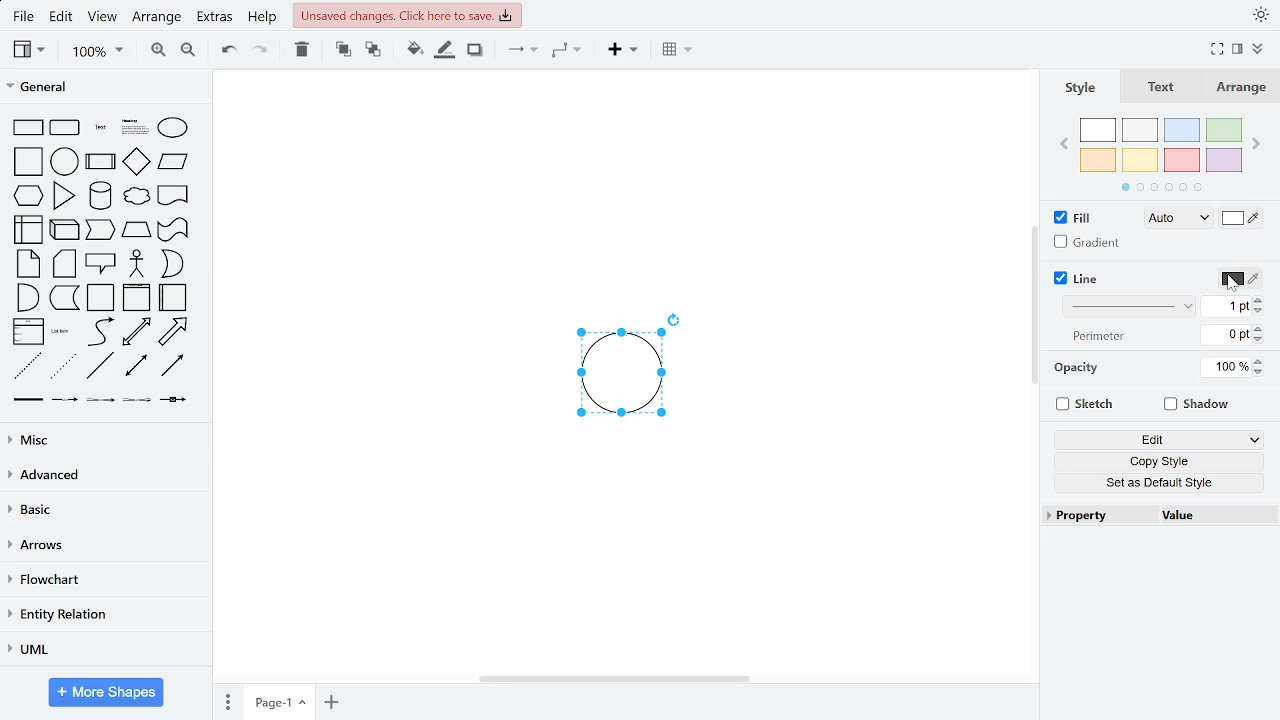 This screenshot has height=720, width=1280. What do you see at coordinates (261, 18) in the screenshot?
I see `help` at bounding box center [261, 18].